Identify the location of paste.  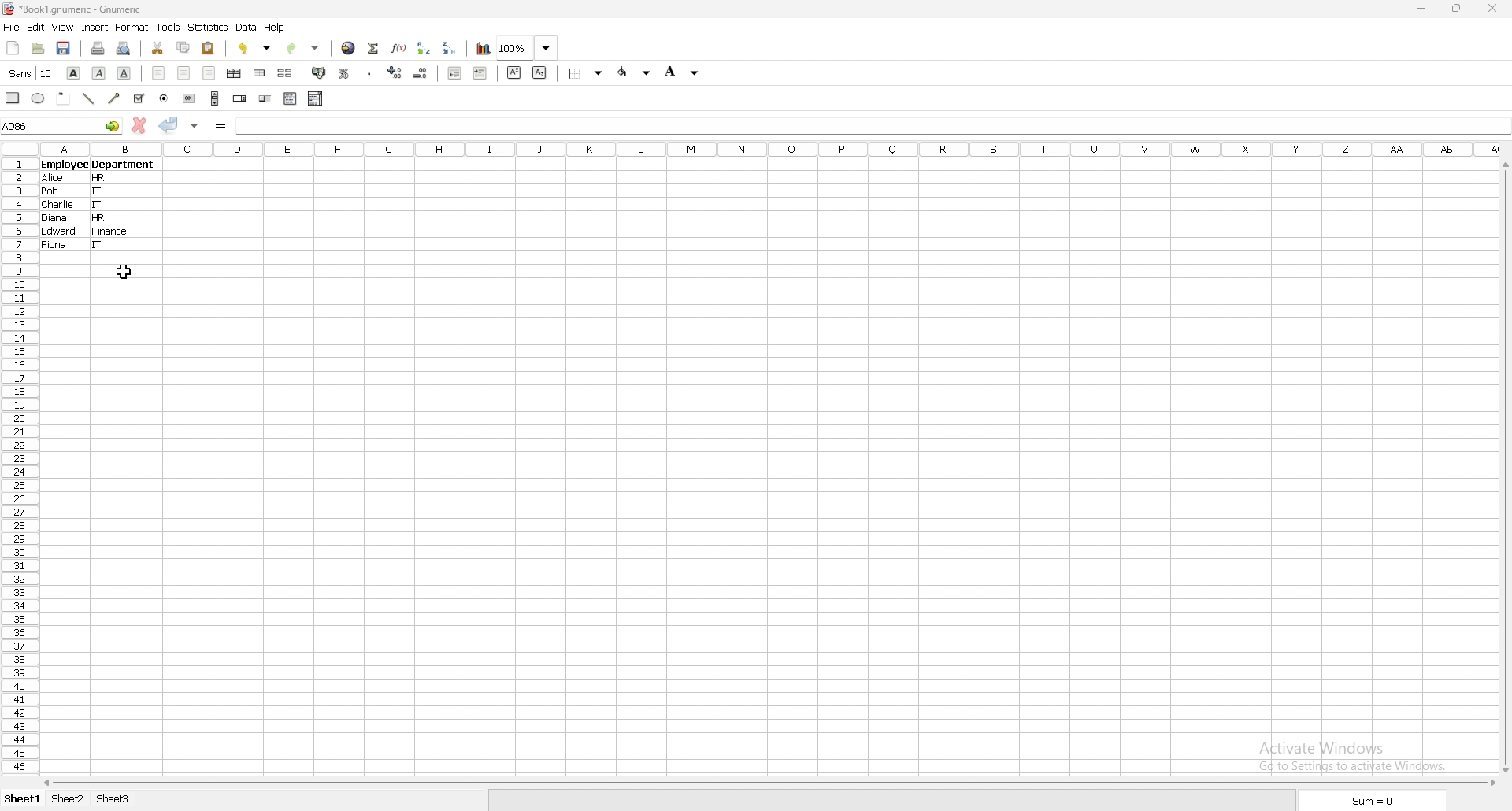
(209, 48).